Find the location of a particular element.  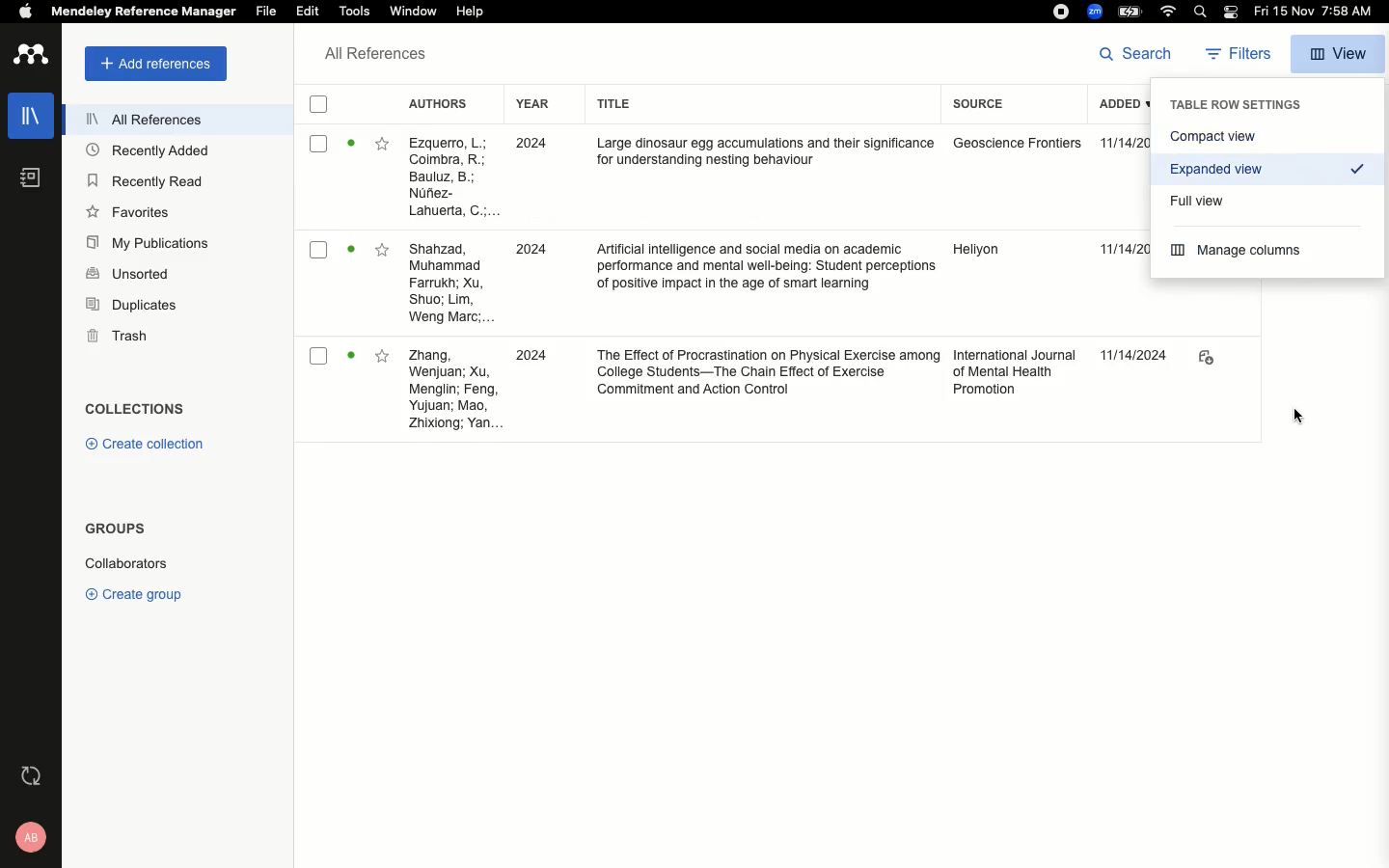

Favorites is located at coordinates (129, 211).